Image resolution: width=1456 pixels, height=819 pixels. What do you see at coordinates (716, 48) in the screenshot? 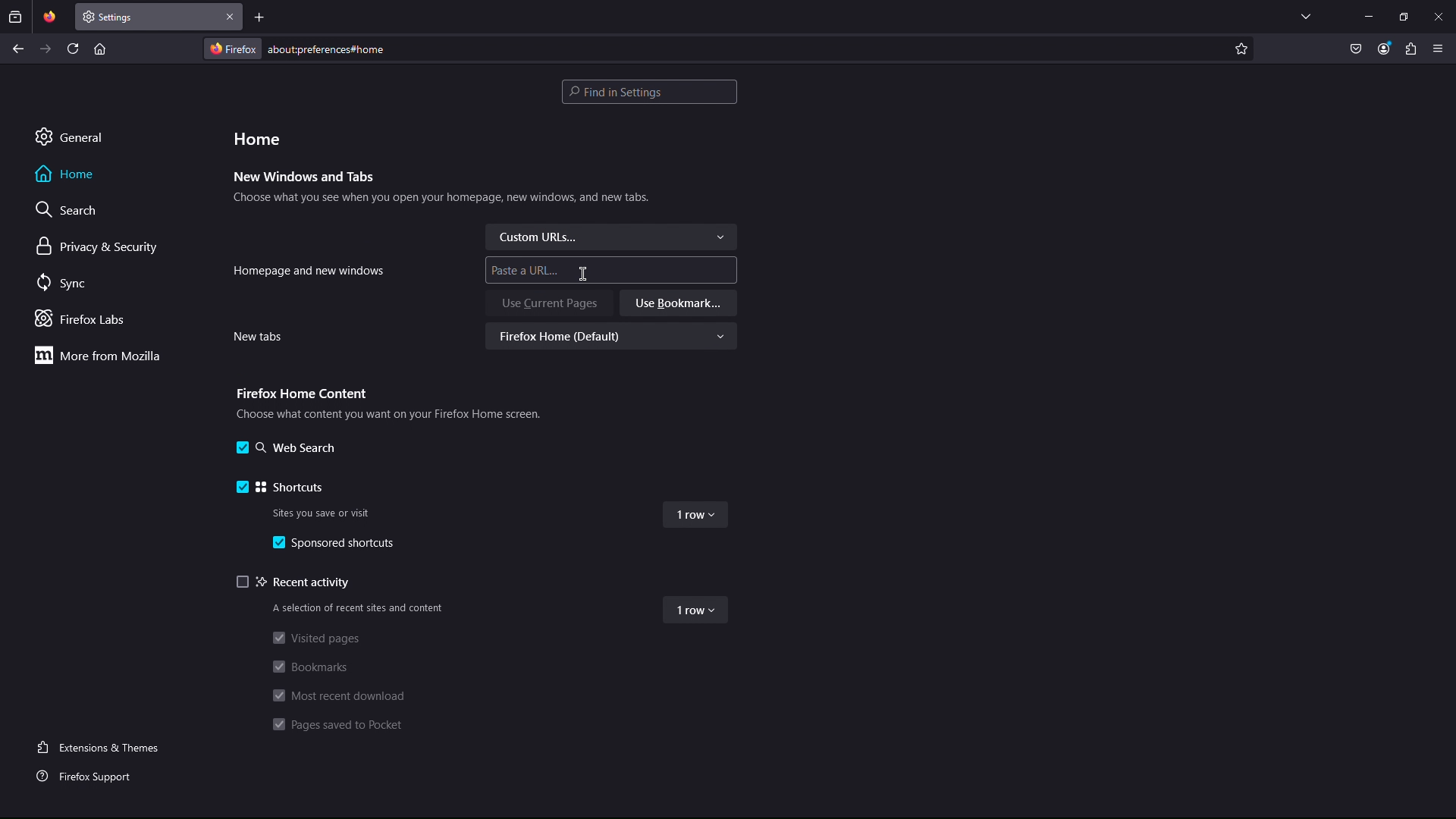
I see `Address Bar` at bounding box center [716, 48].